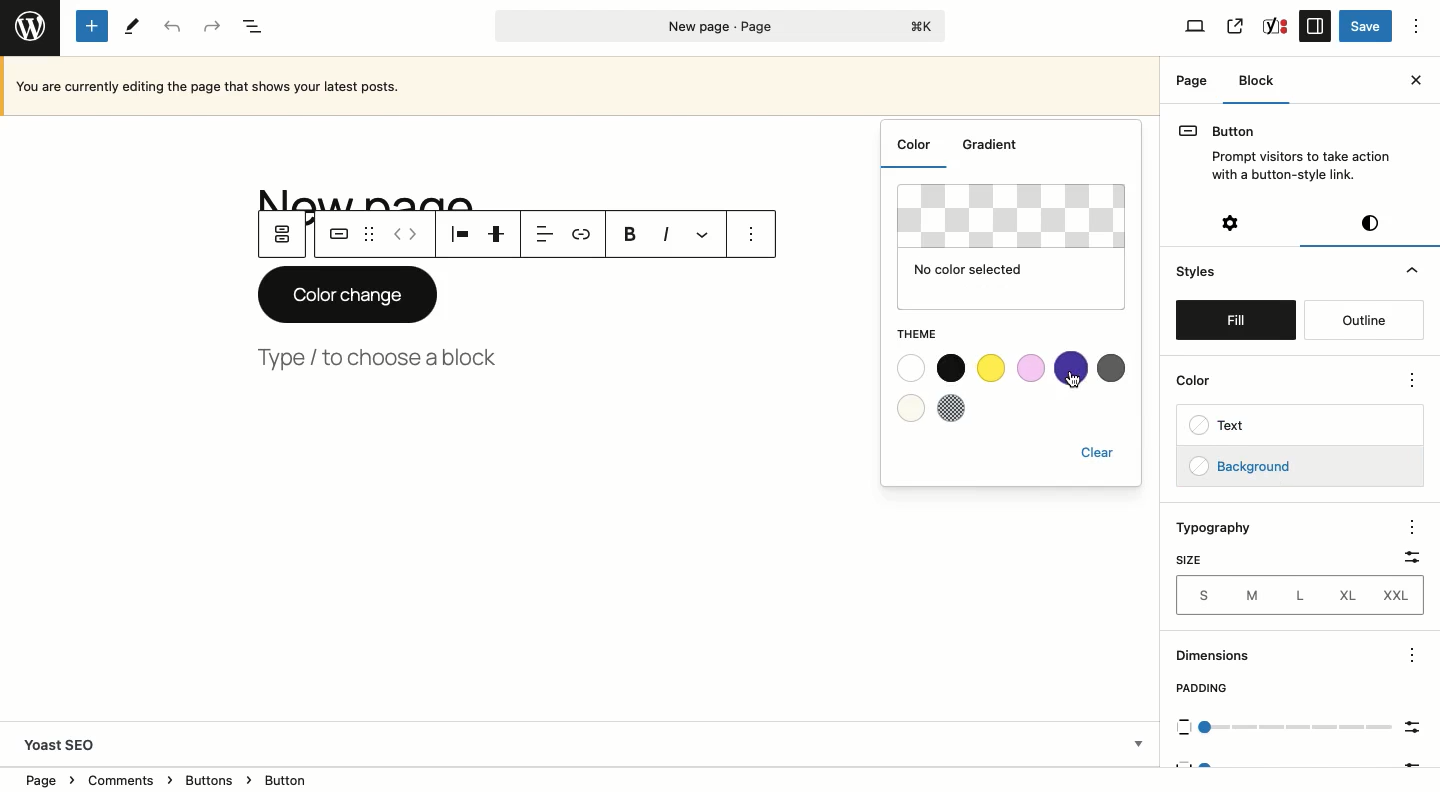 The width and height of the screenshot is (1440, 792). I want to click on Italics, so click(666, 234).